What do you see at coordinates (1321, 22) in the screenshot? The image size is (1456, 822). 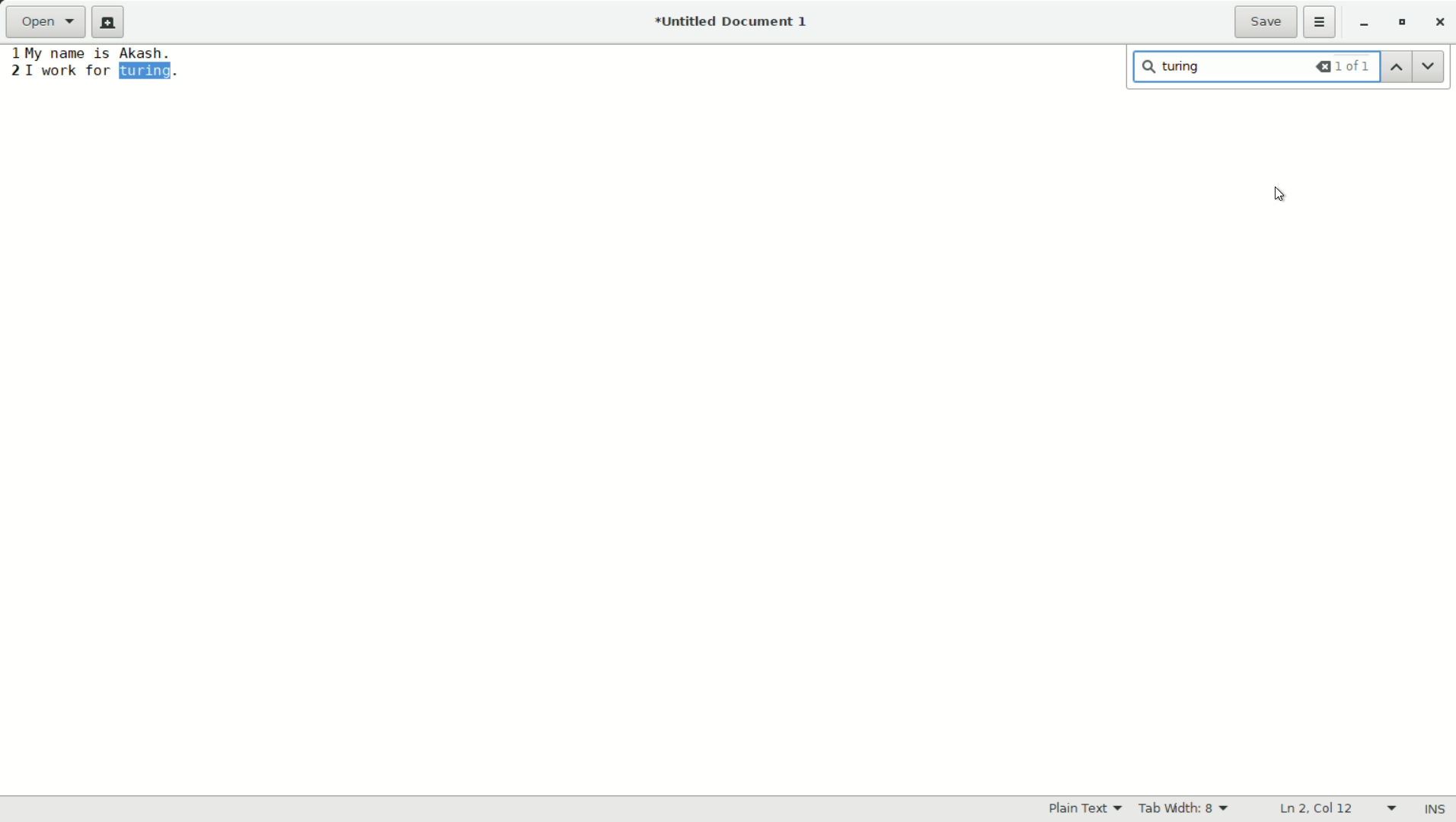 I see `more options` at bounding box center [1321, 22].